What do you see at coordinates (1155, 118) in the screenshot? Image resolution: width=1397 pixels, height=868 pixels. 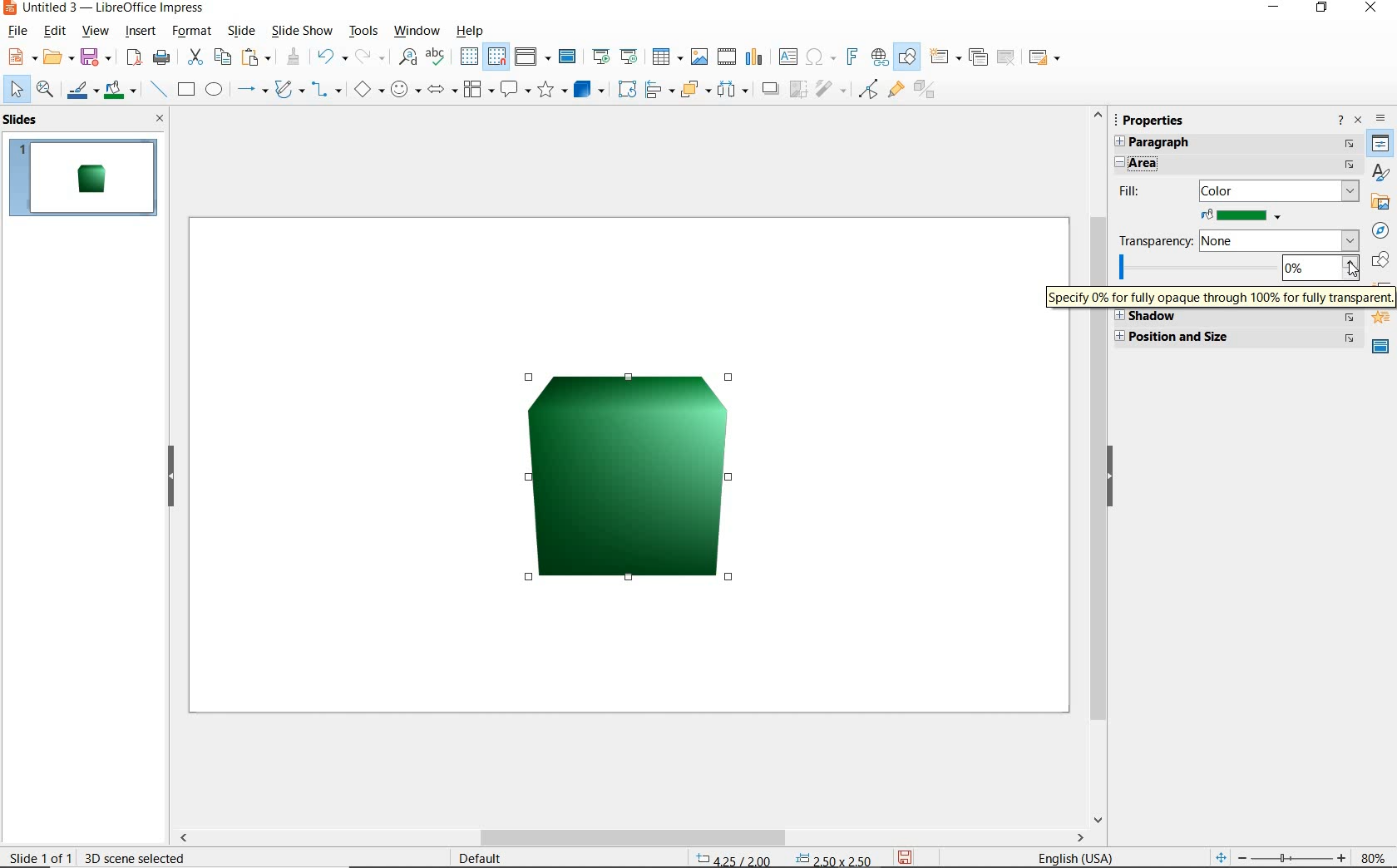 I see `PROPERTIES` at bounding box center [1155, 118].